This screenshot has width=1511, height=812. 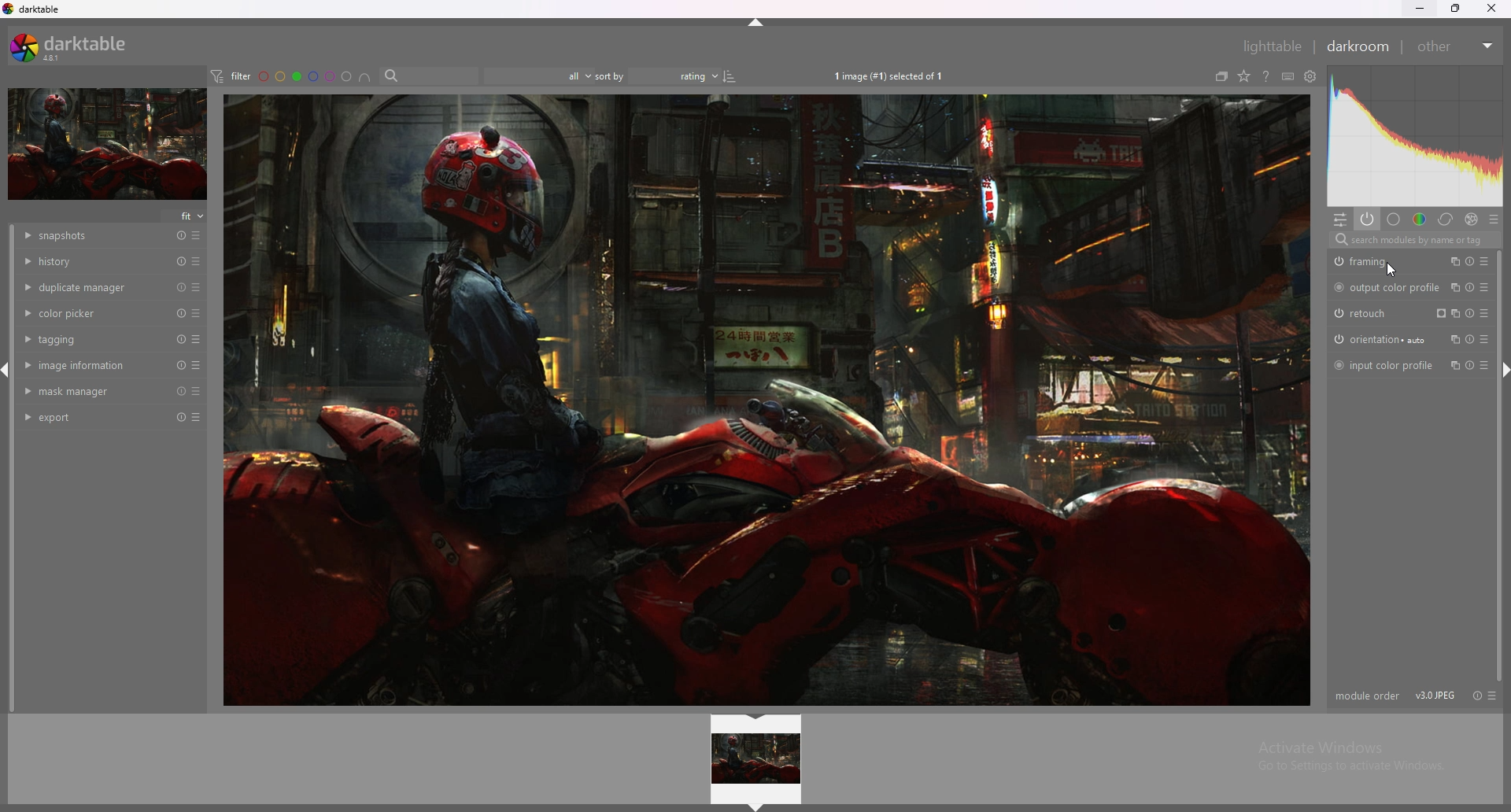 I want to click on input color profile, so click(x=1384, y=364).